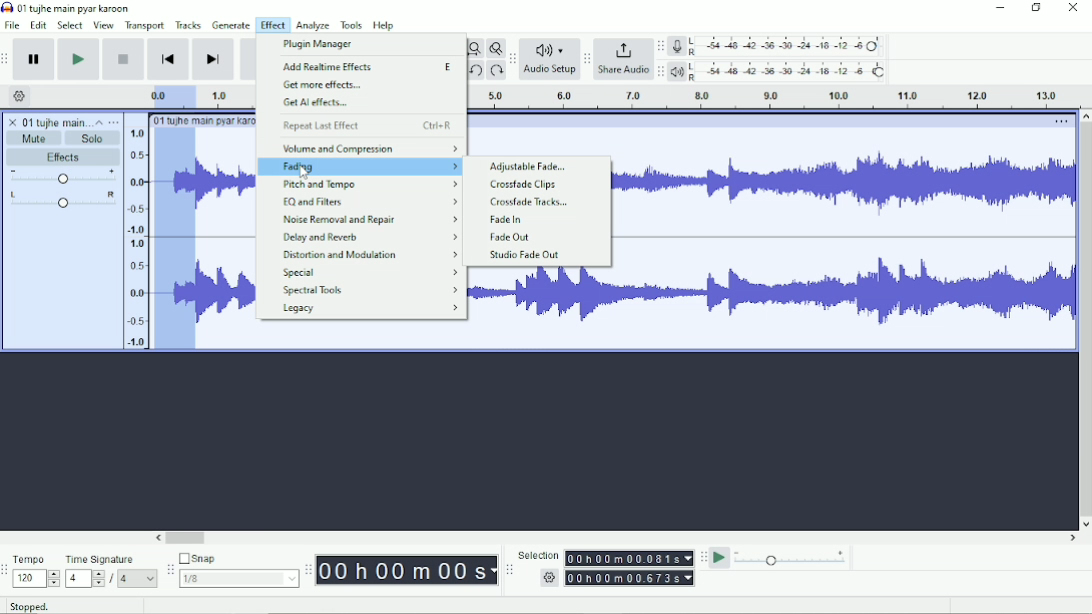  What do you see at coordinates (352, 25) in the screenshot?
I see `Tools` at bounding box center [352, 25].